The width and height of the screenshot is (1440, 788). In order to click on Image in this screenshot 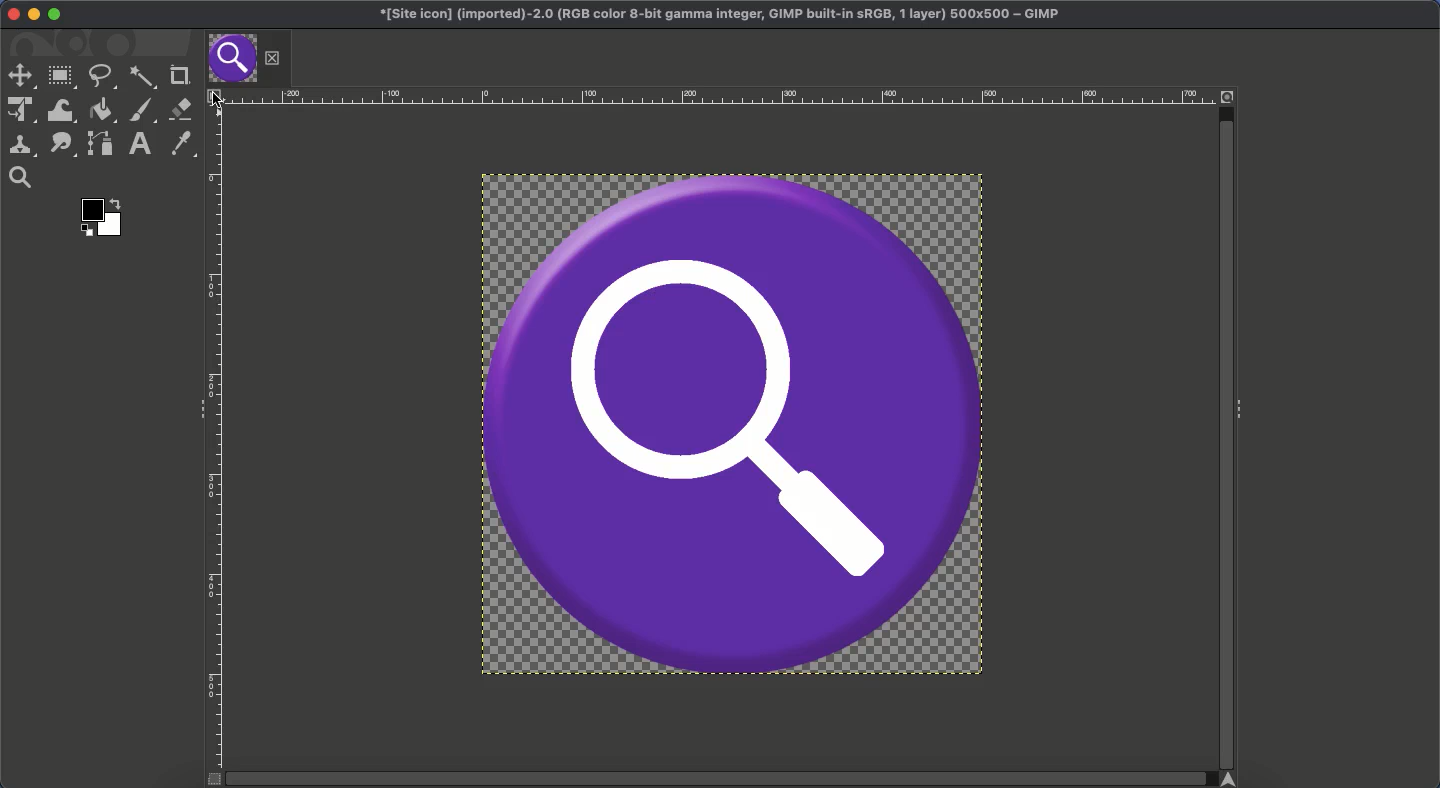, I will do `click(735, 427)`.